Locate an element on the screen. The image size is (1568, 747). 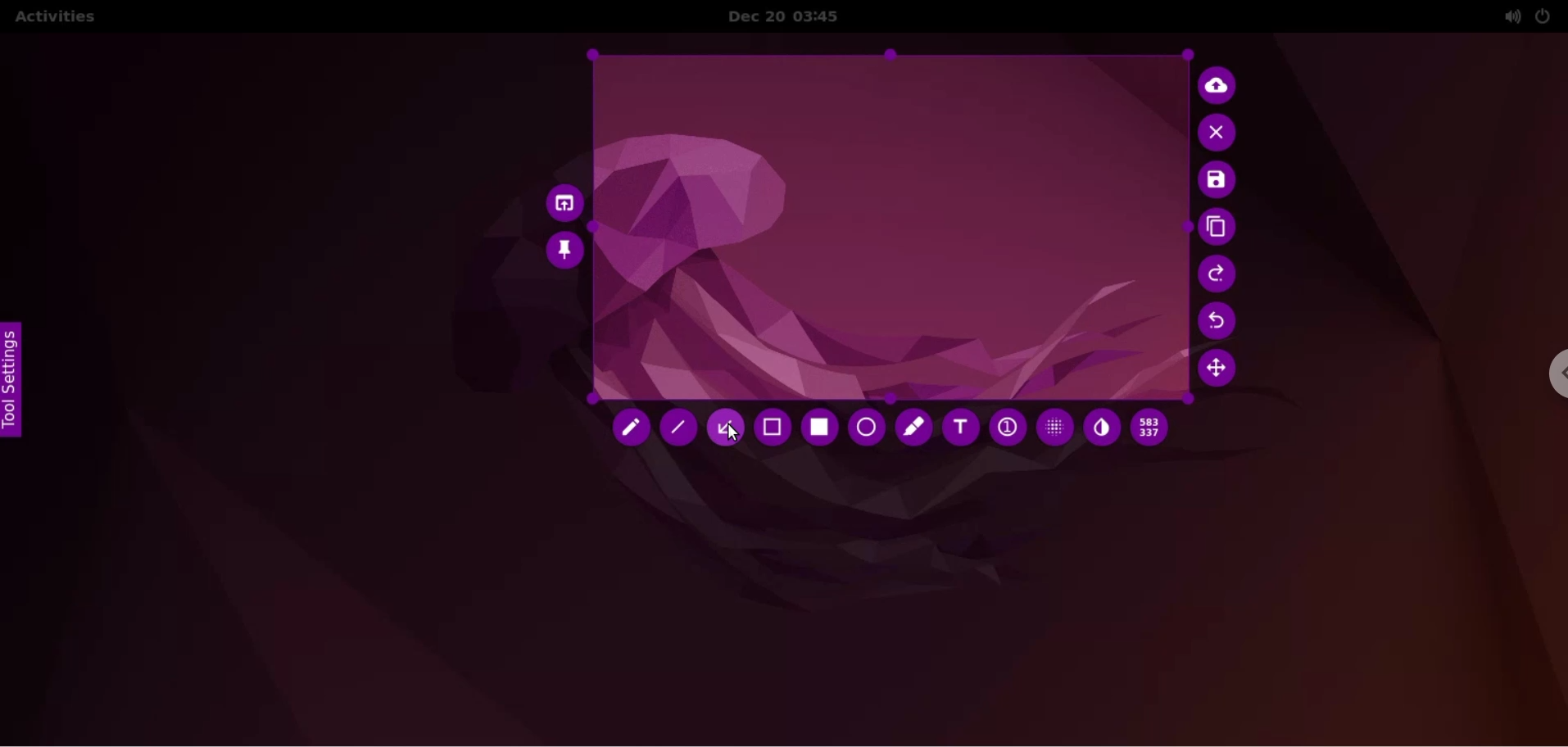
selection tool is located at coordinates (775, 430).